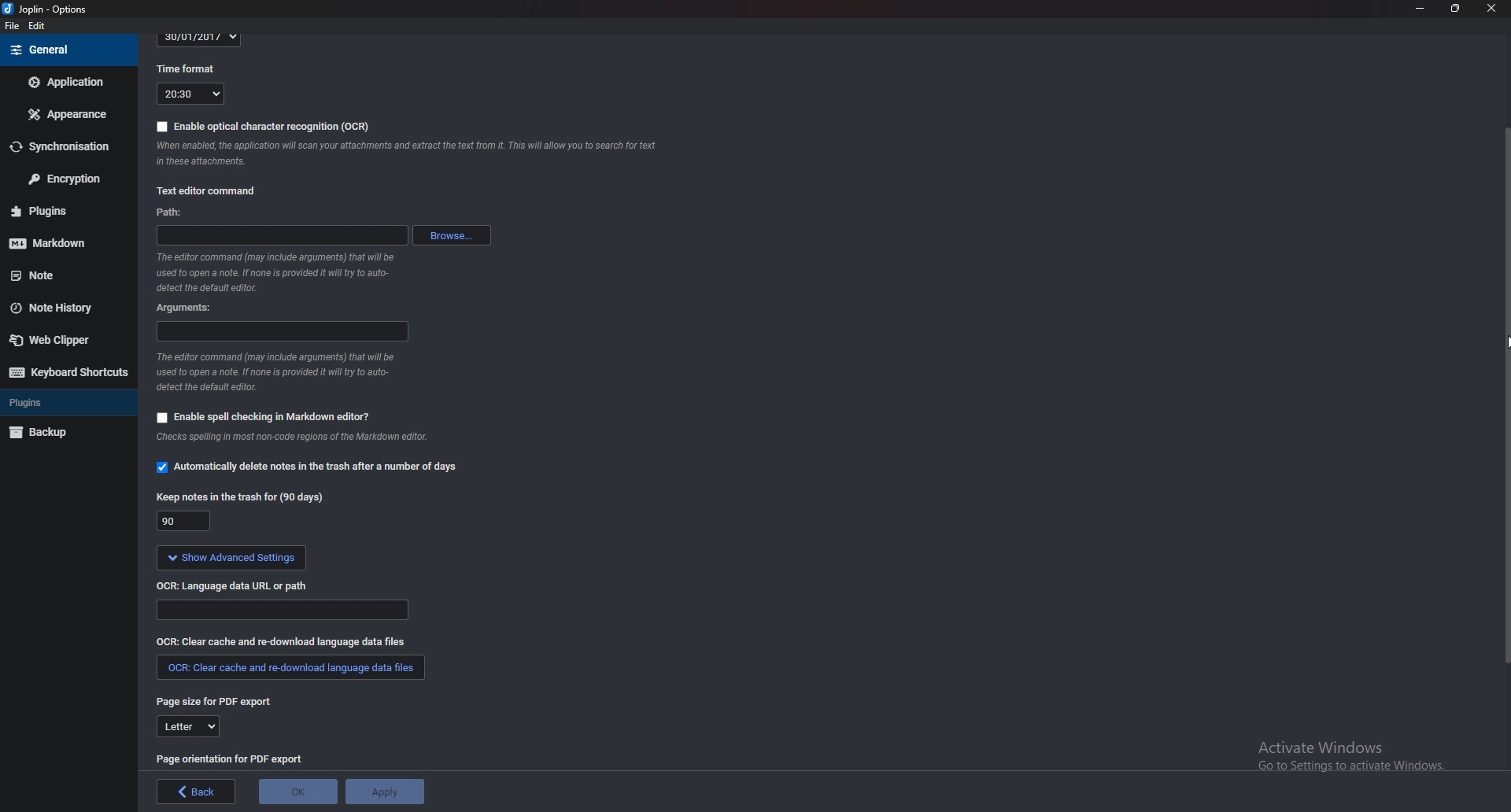  Describe the element at coordinates (61, 433) in the screenshot. I see `Backup` at that location.